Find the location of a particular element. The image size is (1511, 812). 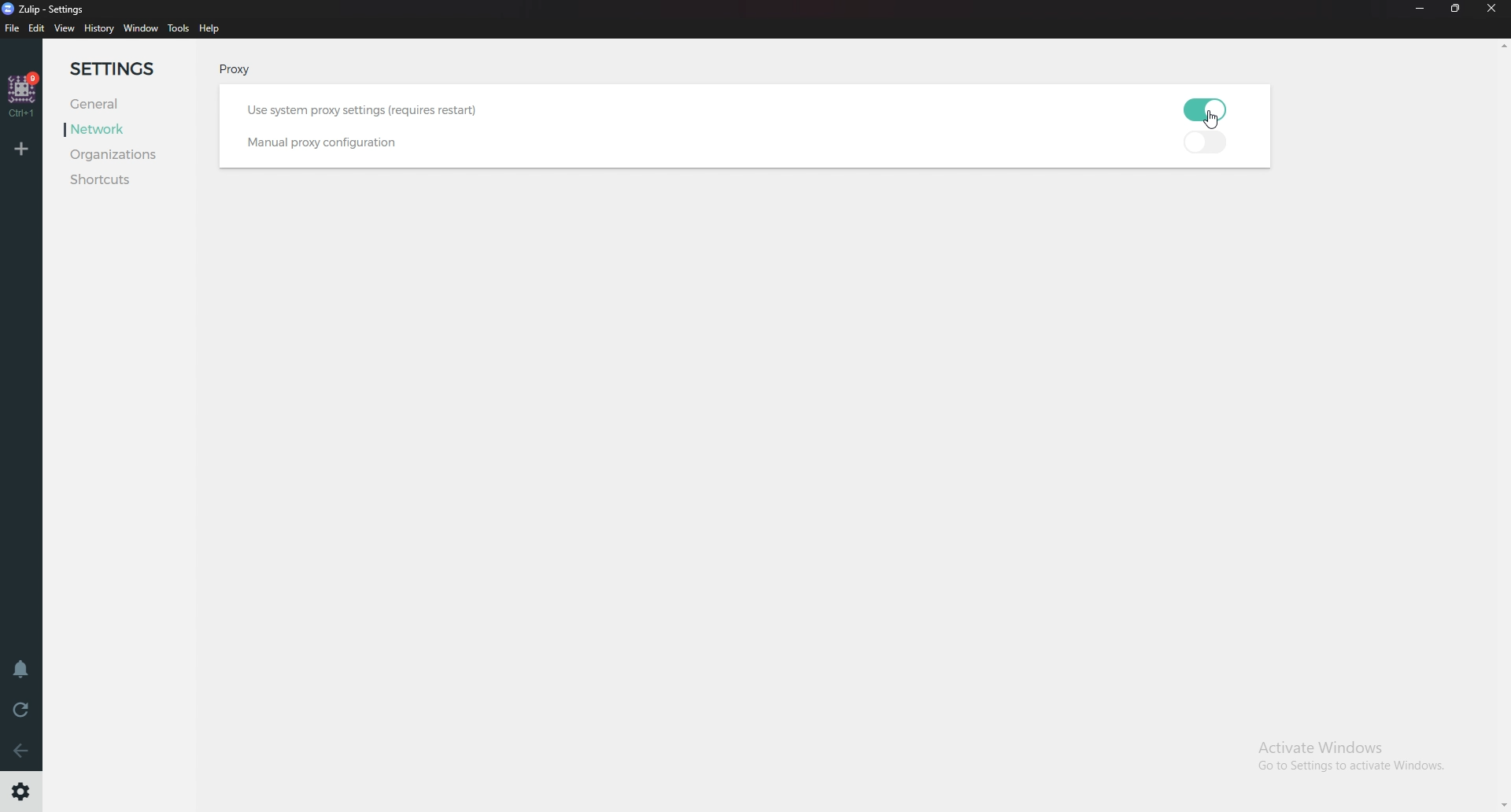

settings is located at coordinates (122, 69).